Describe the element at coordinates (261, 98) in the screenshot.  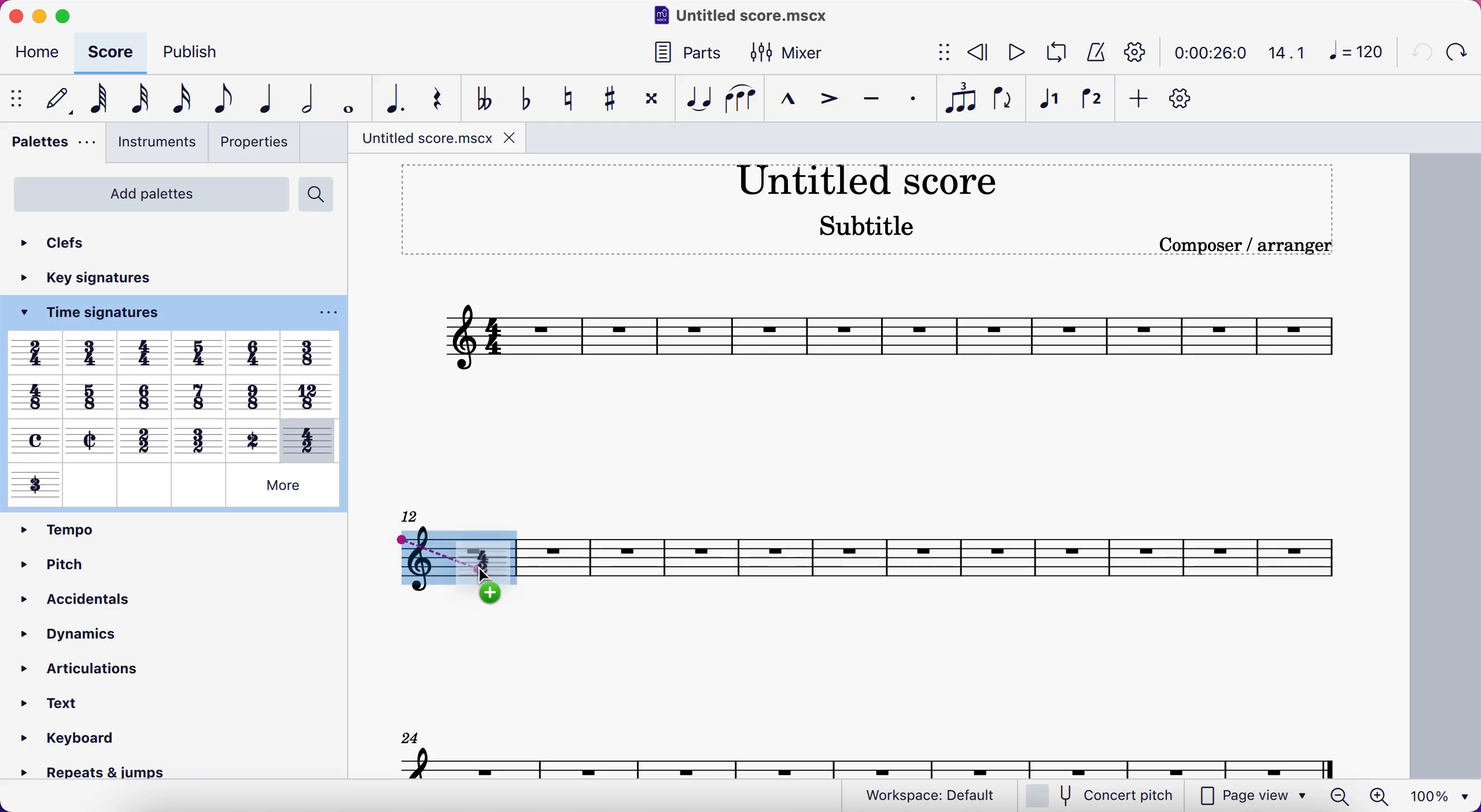
I see `quarter note` at that location.